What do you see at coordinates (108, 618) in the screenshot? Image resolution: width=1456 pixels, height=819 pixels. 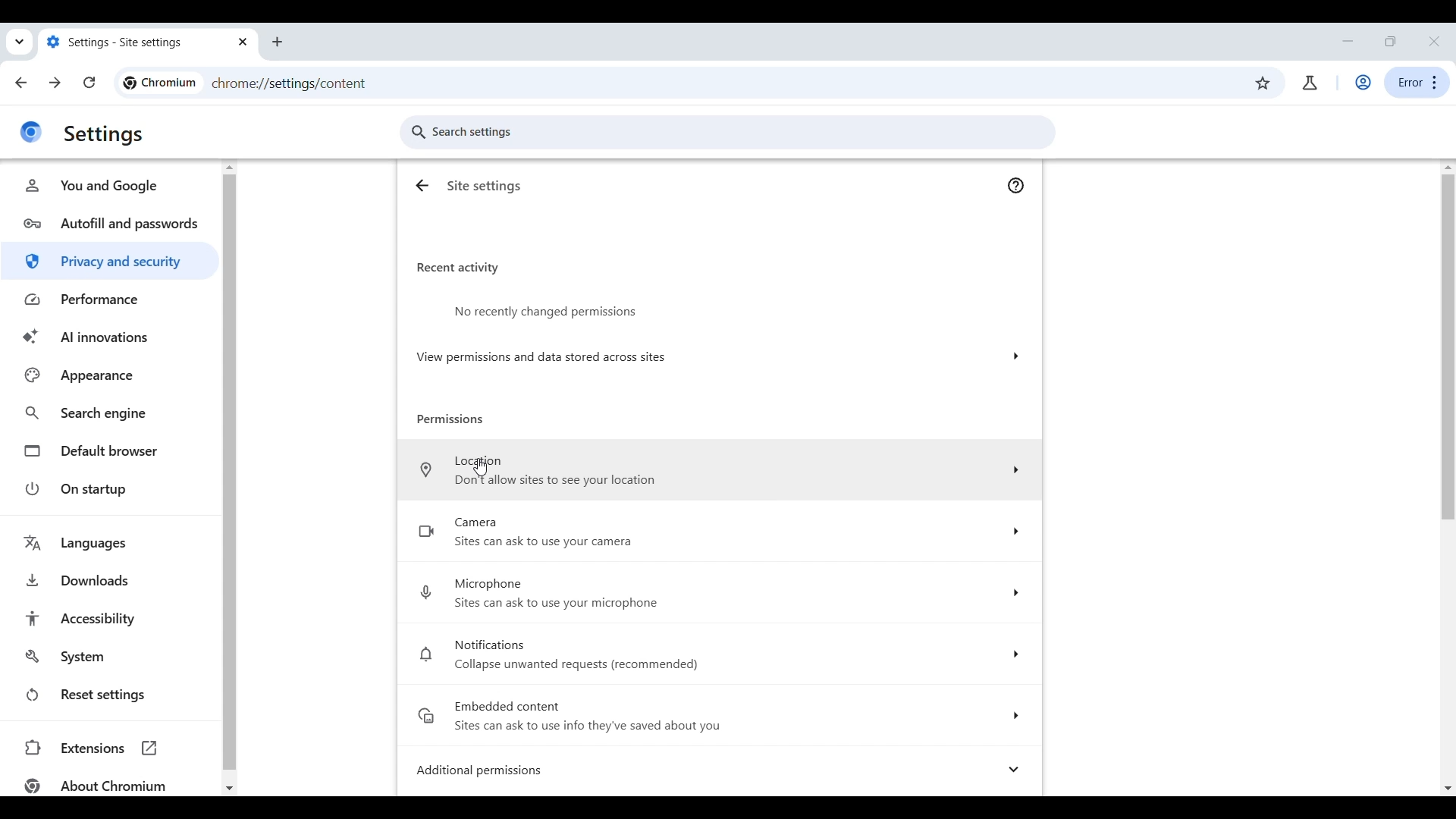 I see `Accessibility` at bounding box center [108, 618].